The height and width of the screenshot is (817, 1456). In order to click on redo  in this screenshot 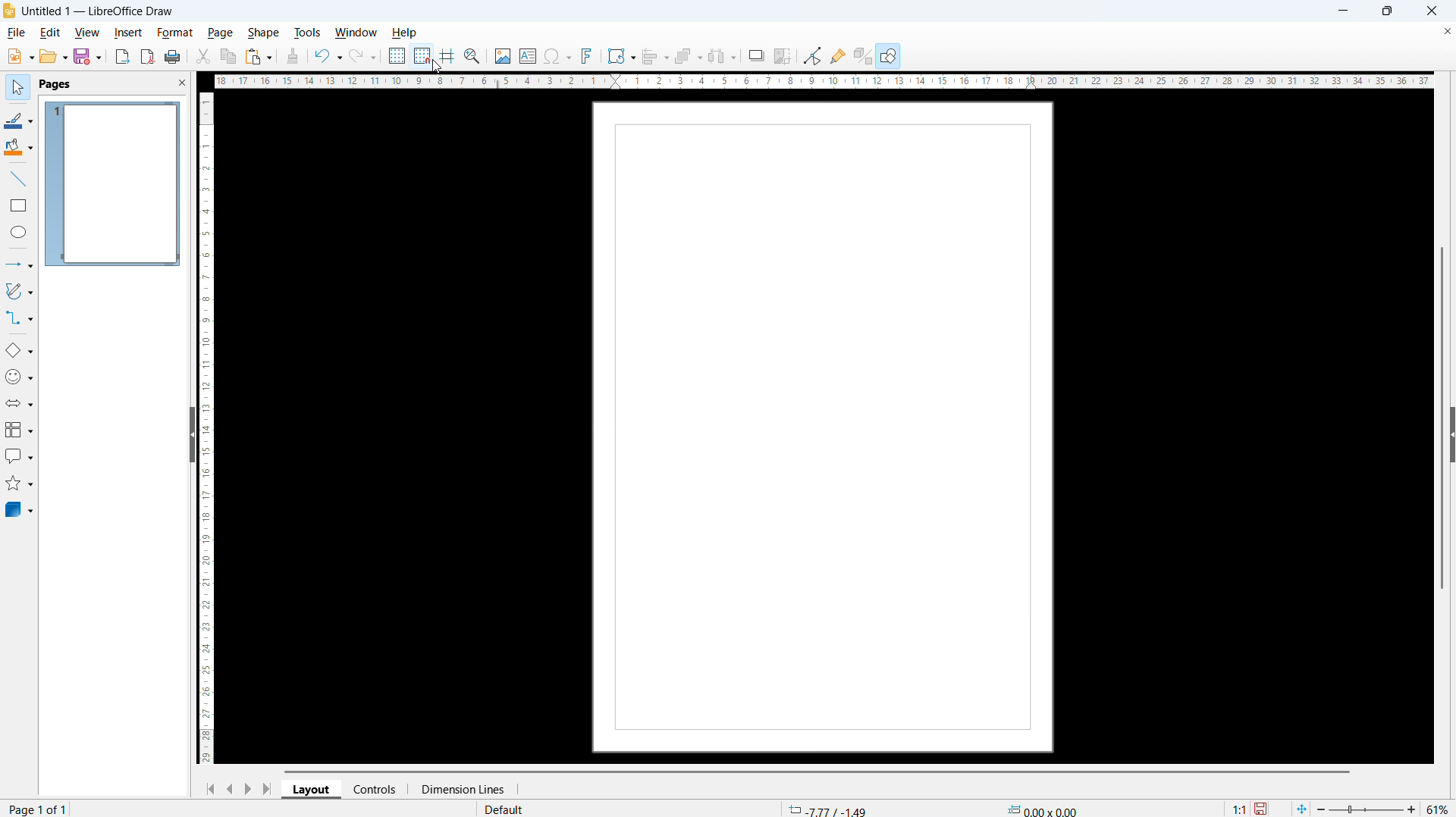, I will do `click(362, 56)`.